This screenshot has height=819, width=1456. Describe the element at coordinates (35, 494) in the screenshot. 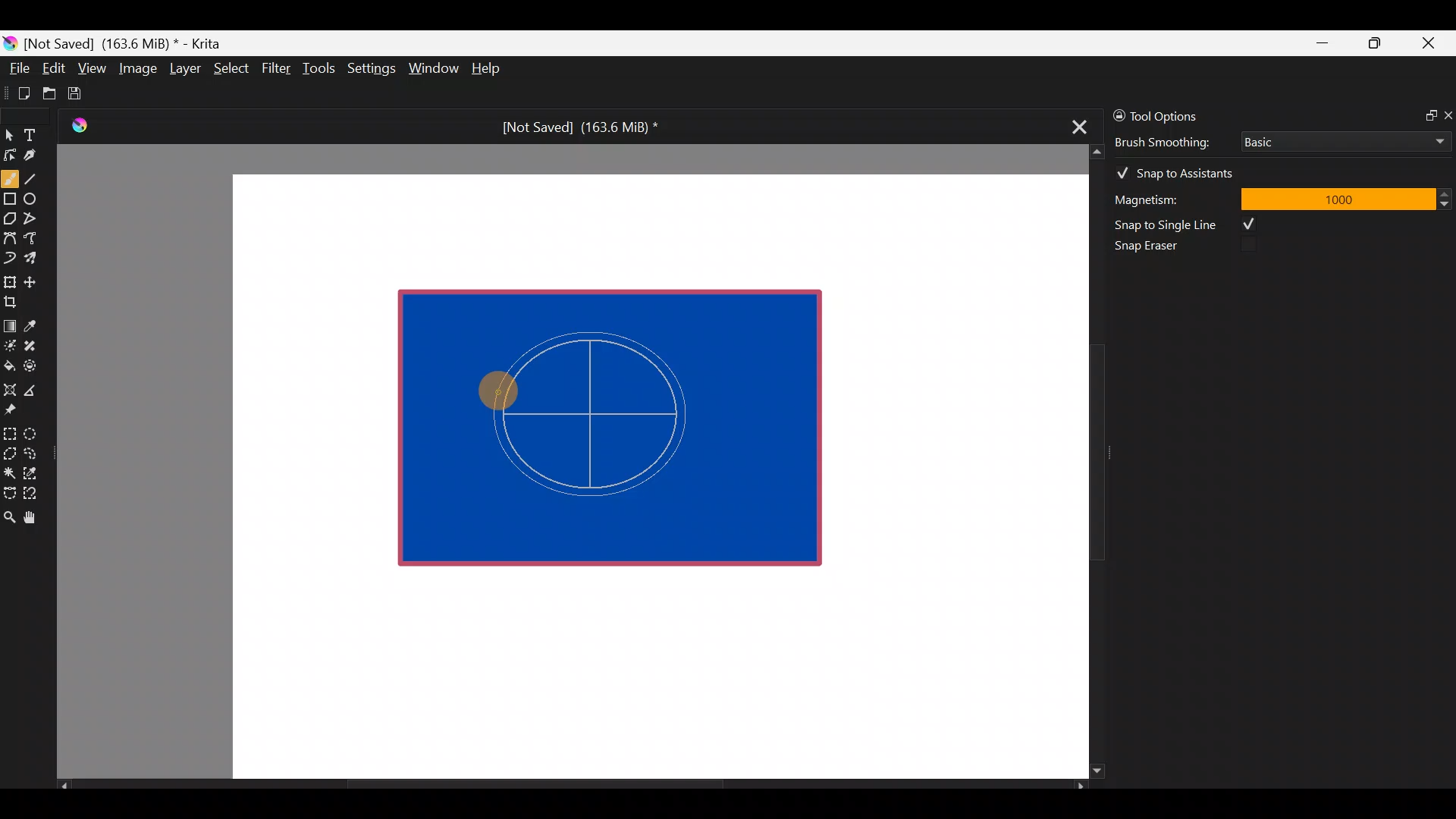

I see `Magnetic curve selection tool` at that location.